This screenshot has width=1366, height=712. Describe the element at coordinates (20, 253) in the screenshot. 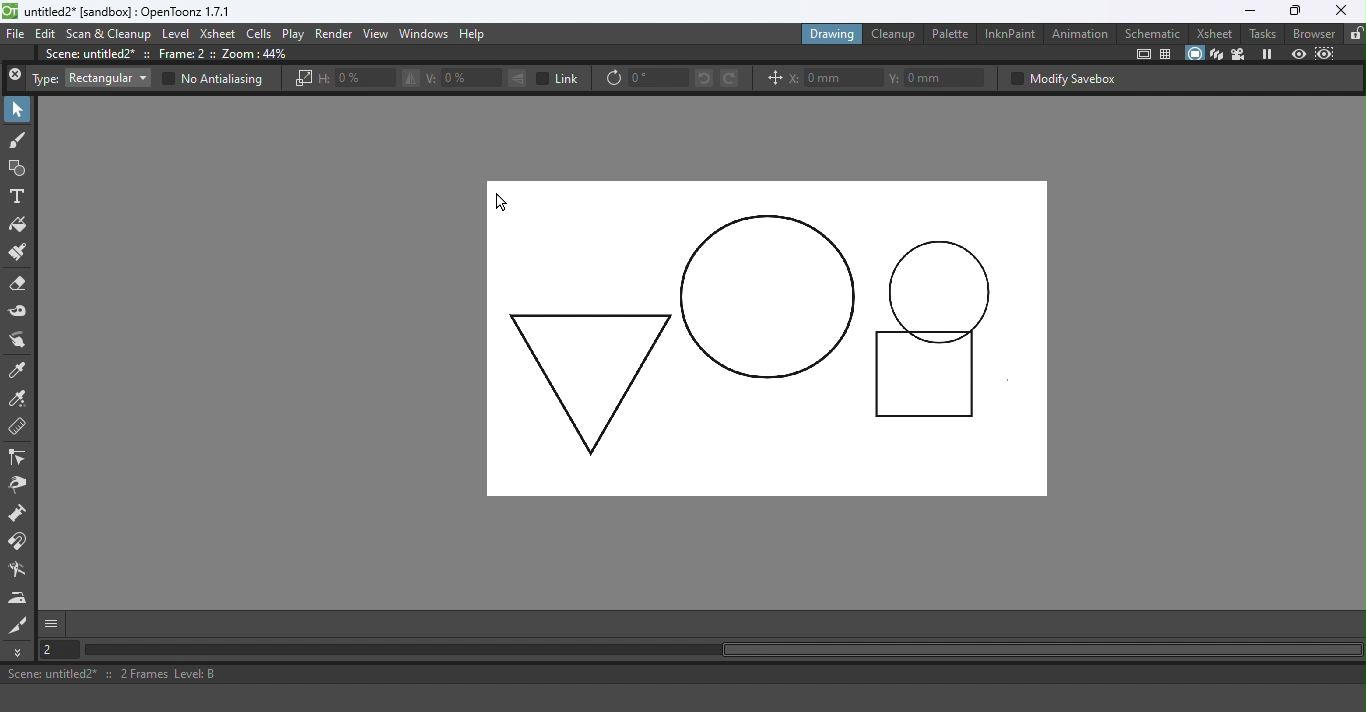

I see `Paintbrush tool` at that location.